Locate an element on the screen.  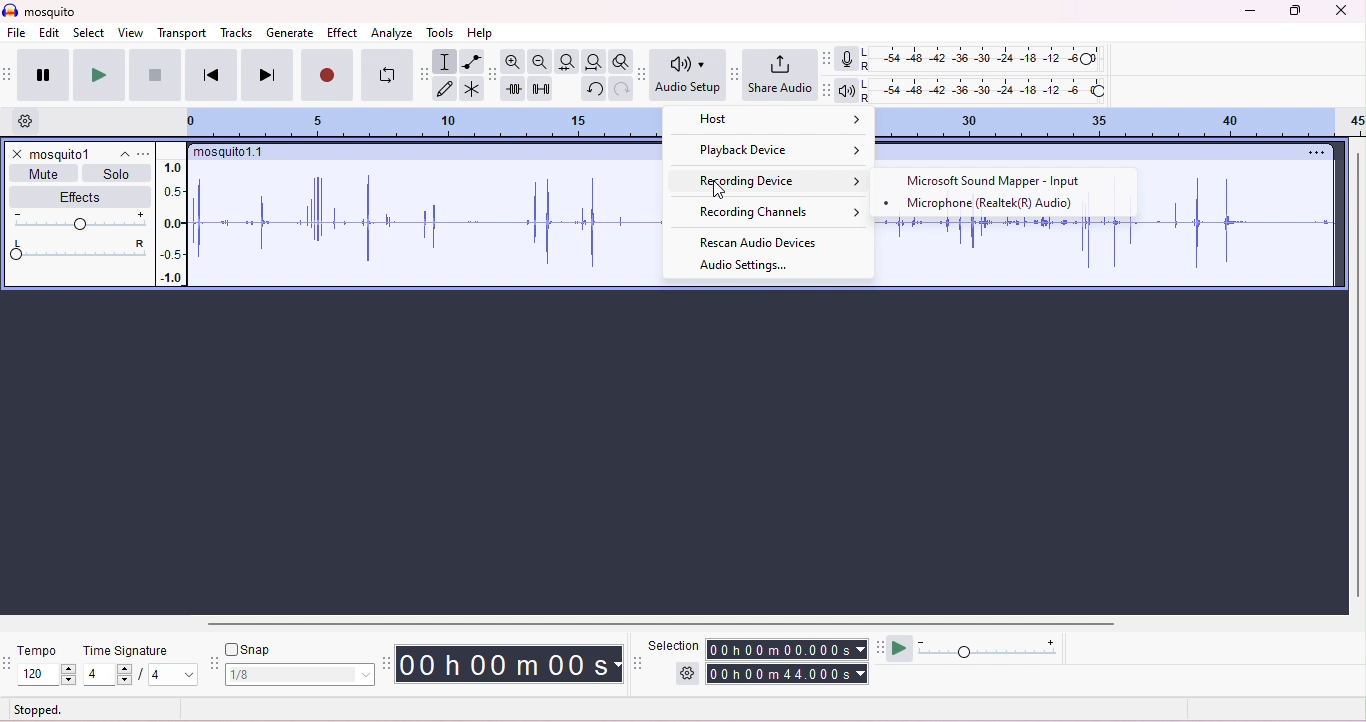
effects is located at coordinates (82, 196).